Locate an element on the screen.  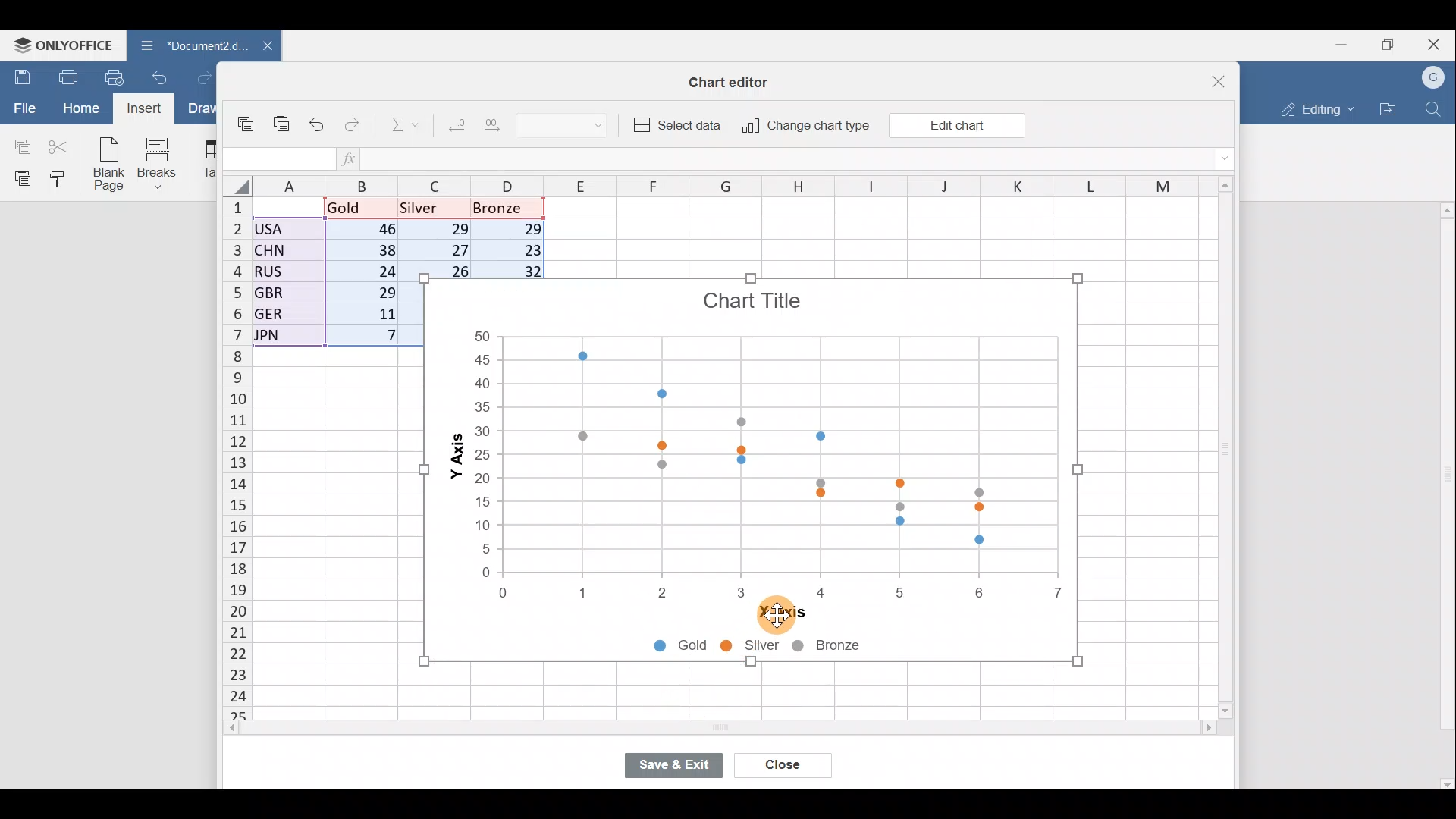
Quick print is located at coordinates (115, 79).